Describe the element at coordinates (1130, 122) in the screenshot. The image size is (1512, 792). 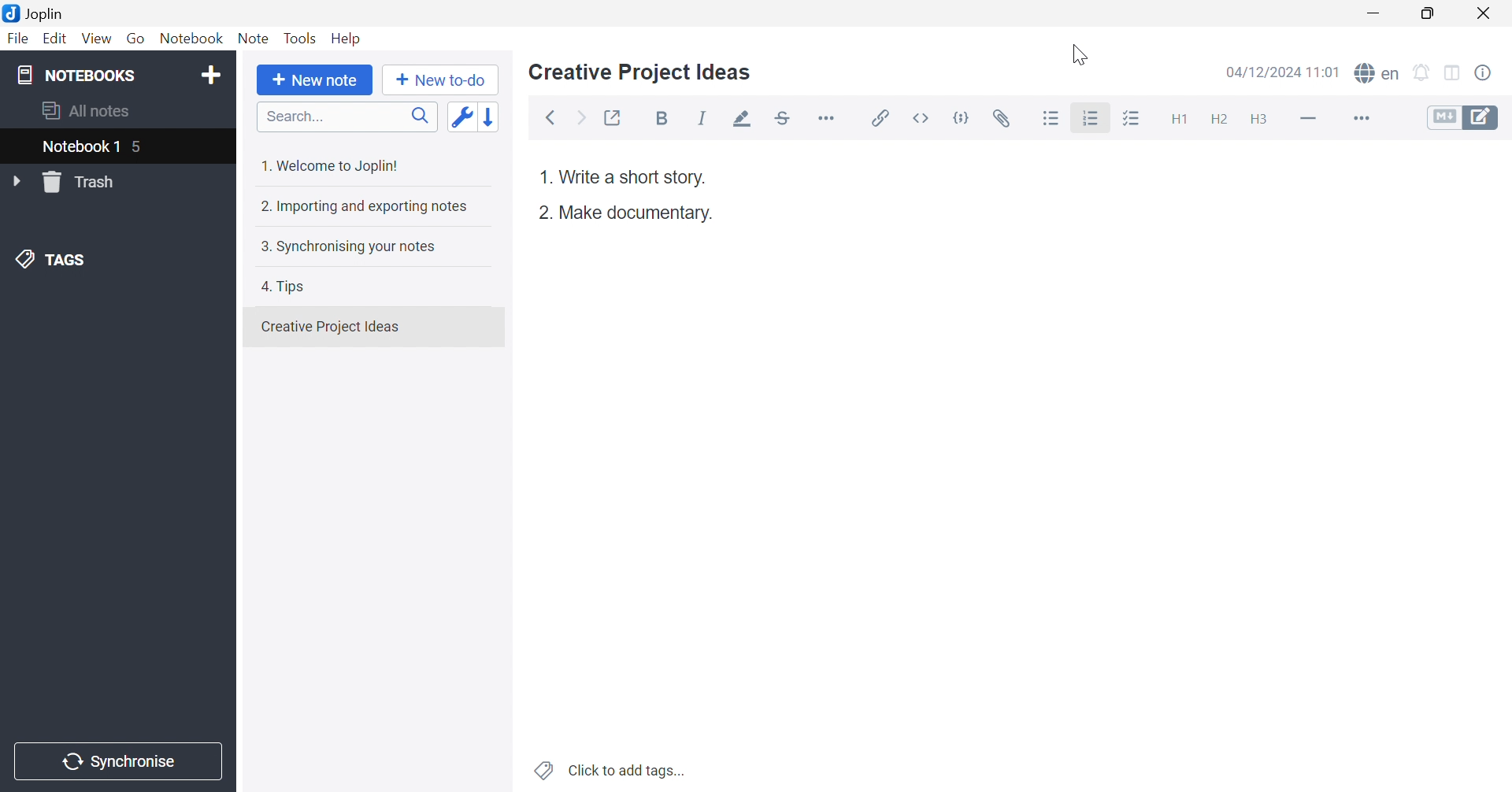
I see `Checkbox list` at that location.